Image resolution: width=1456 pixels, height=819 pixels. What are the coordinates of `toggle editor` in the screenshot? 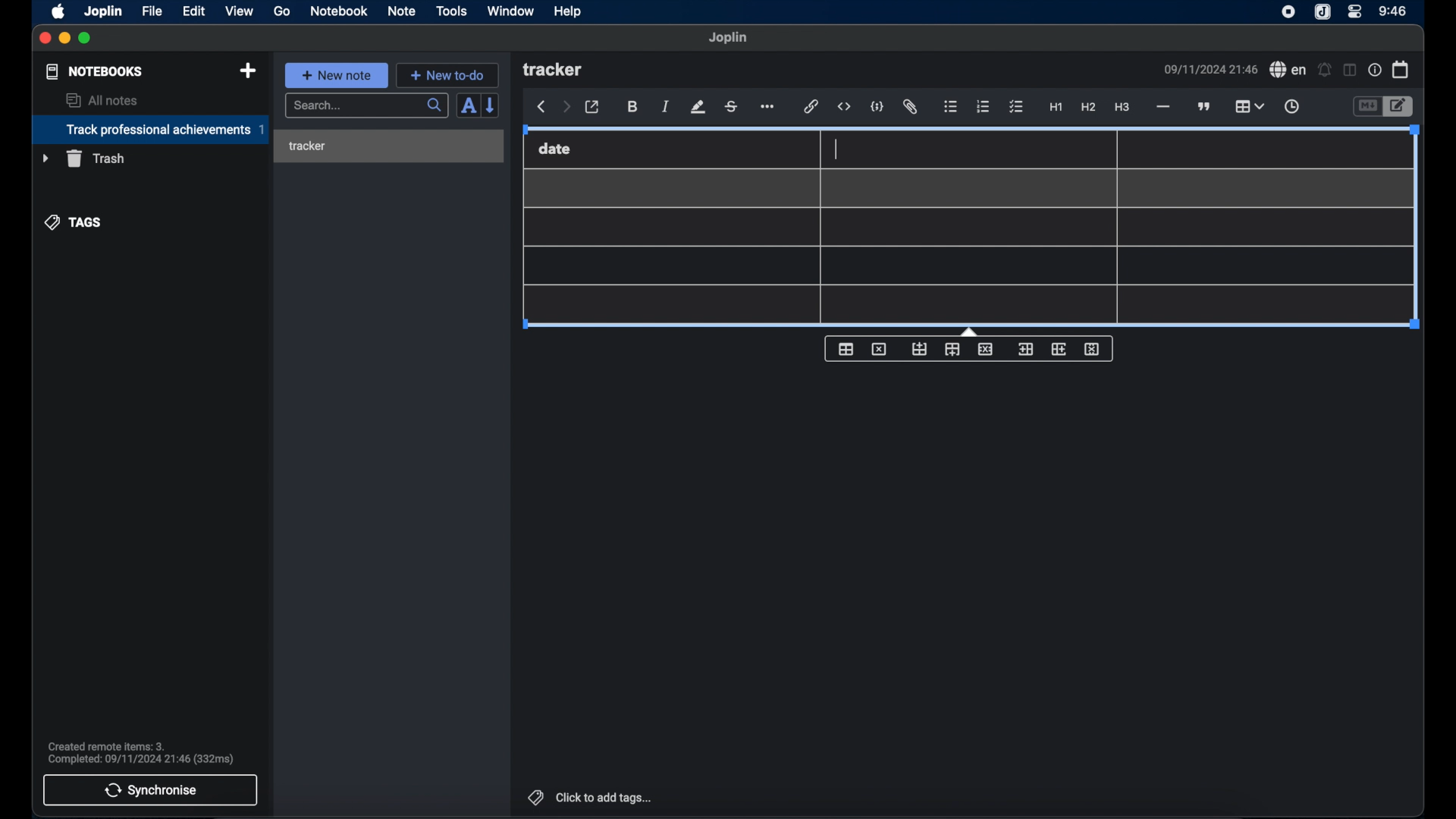 It's located at (1399, 106).